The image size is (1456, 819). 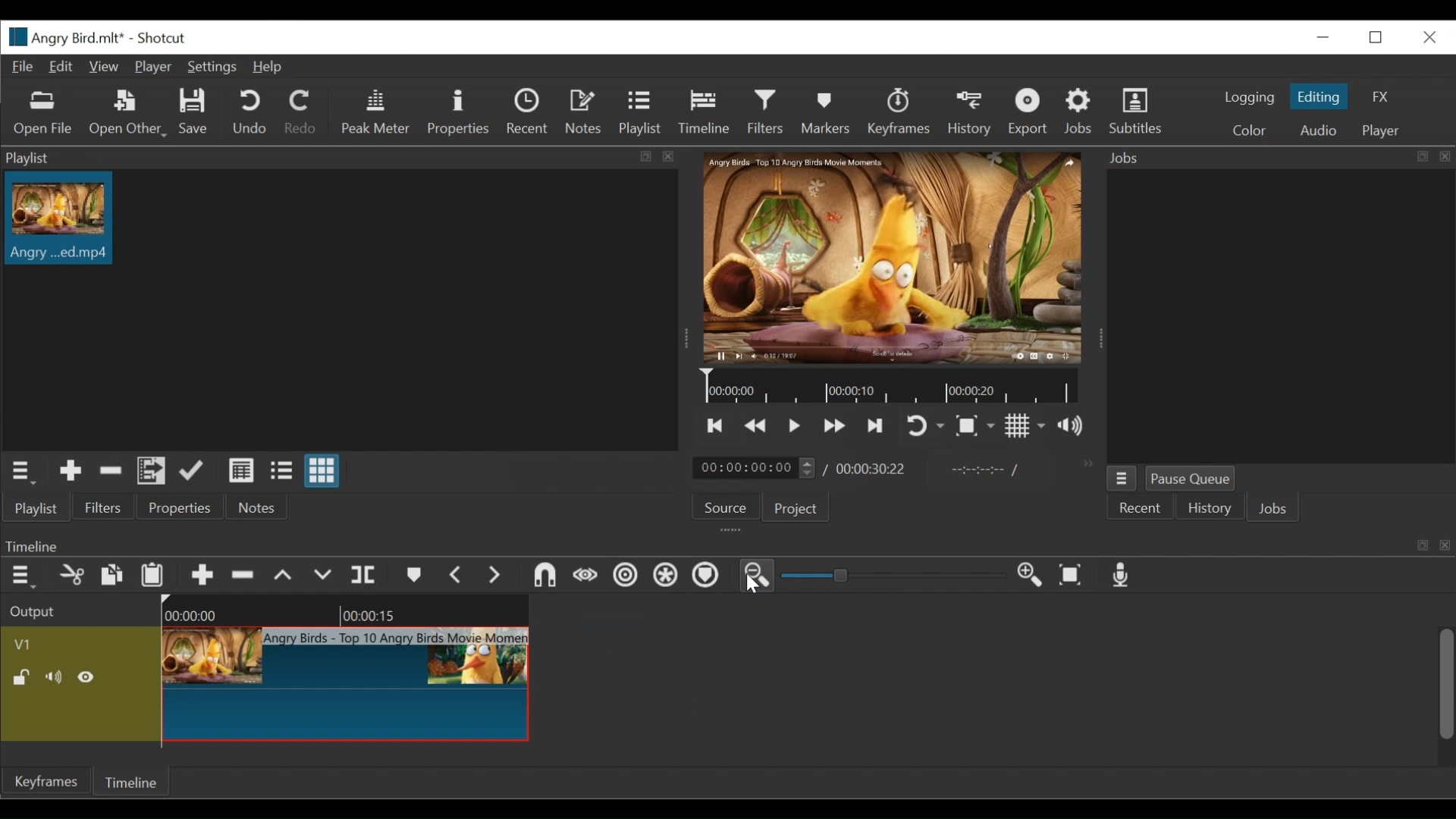 What do you see at coordinates (896, 575) in the screenshot?
I see `Zoom slider` at bounding box center [896, 575].